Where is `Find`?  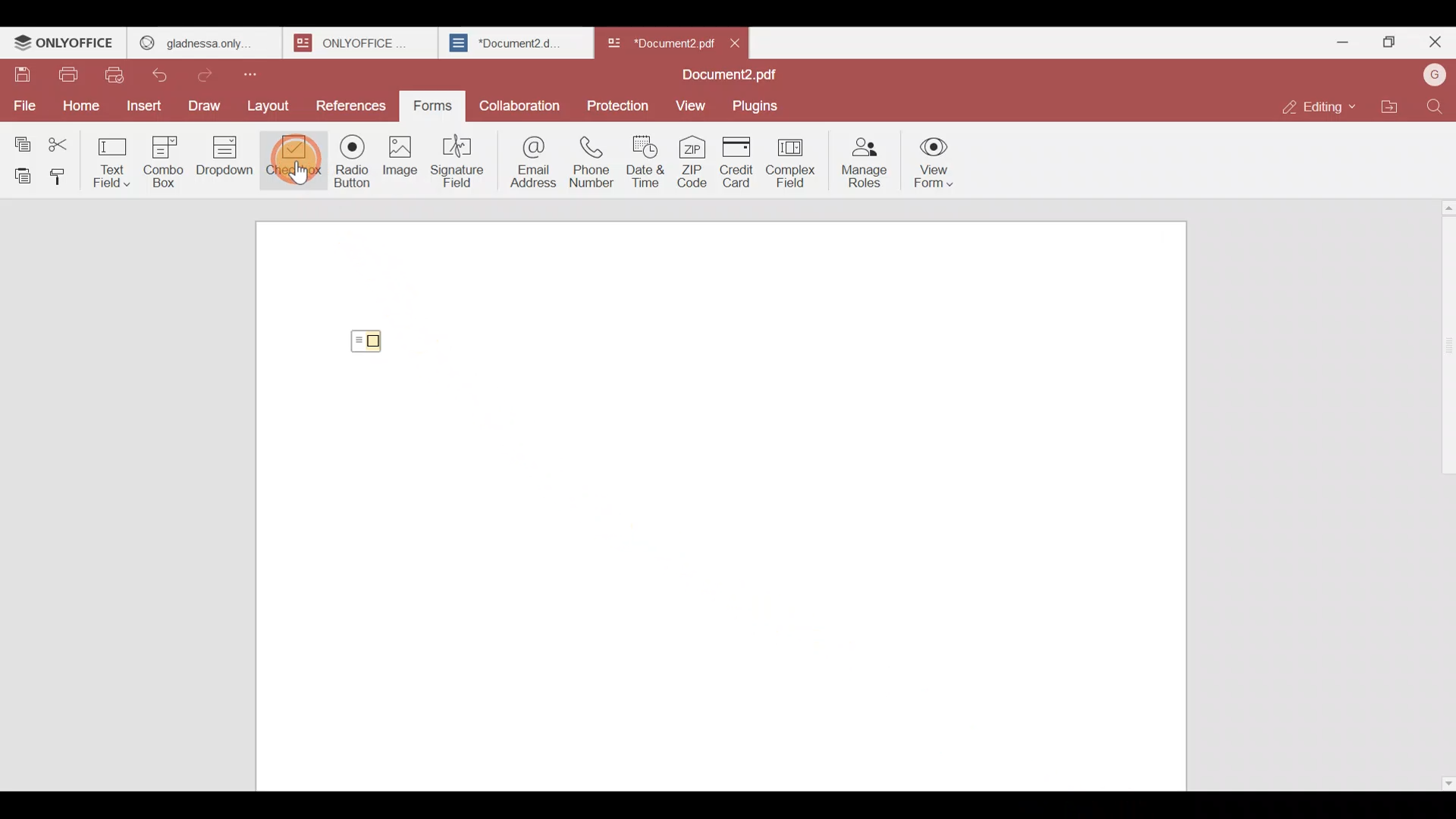 Find is located at coordinates (1435, 106).